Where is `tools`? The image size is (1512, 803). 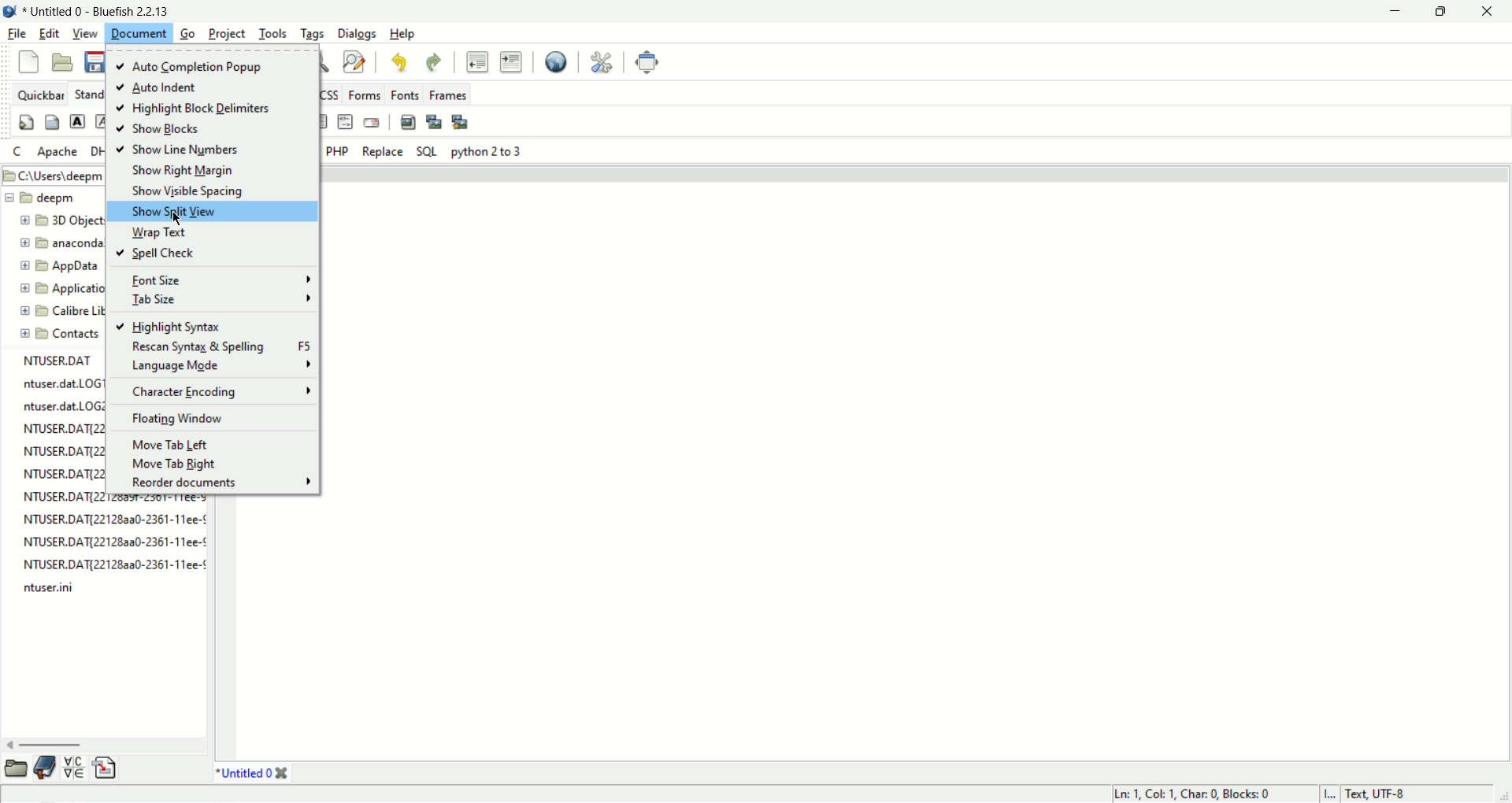 tools is located at coordinates (272, 34).